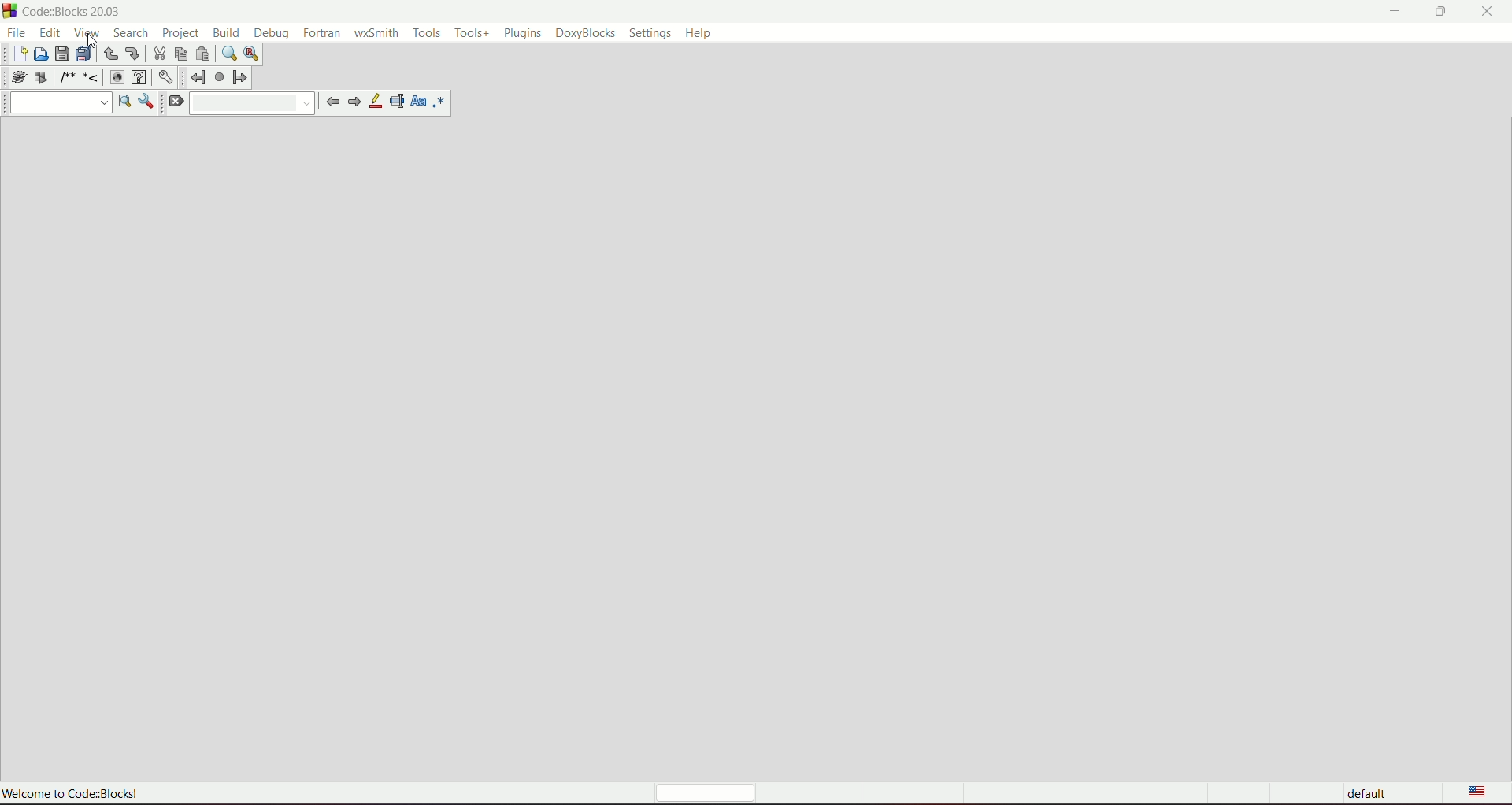 The image size is (1512, 805). What do you see at coordinates (183, 54) in the screenshot?
I see `copy` at bounding box center [183, 54].